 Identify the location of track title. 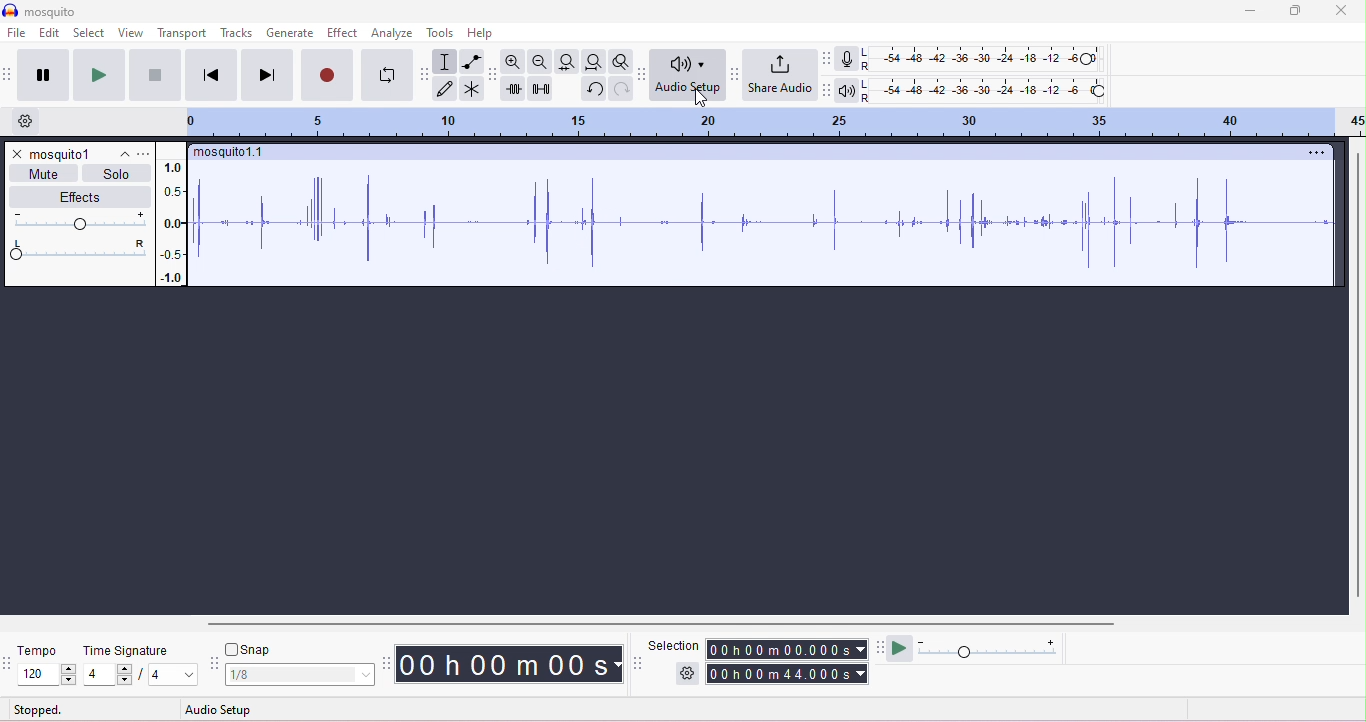
(79, 154).